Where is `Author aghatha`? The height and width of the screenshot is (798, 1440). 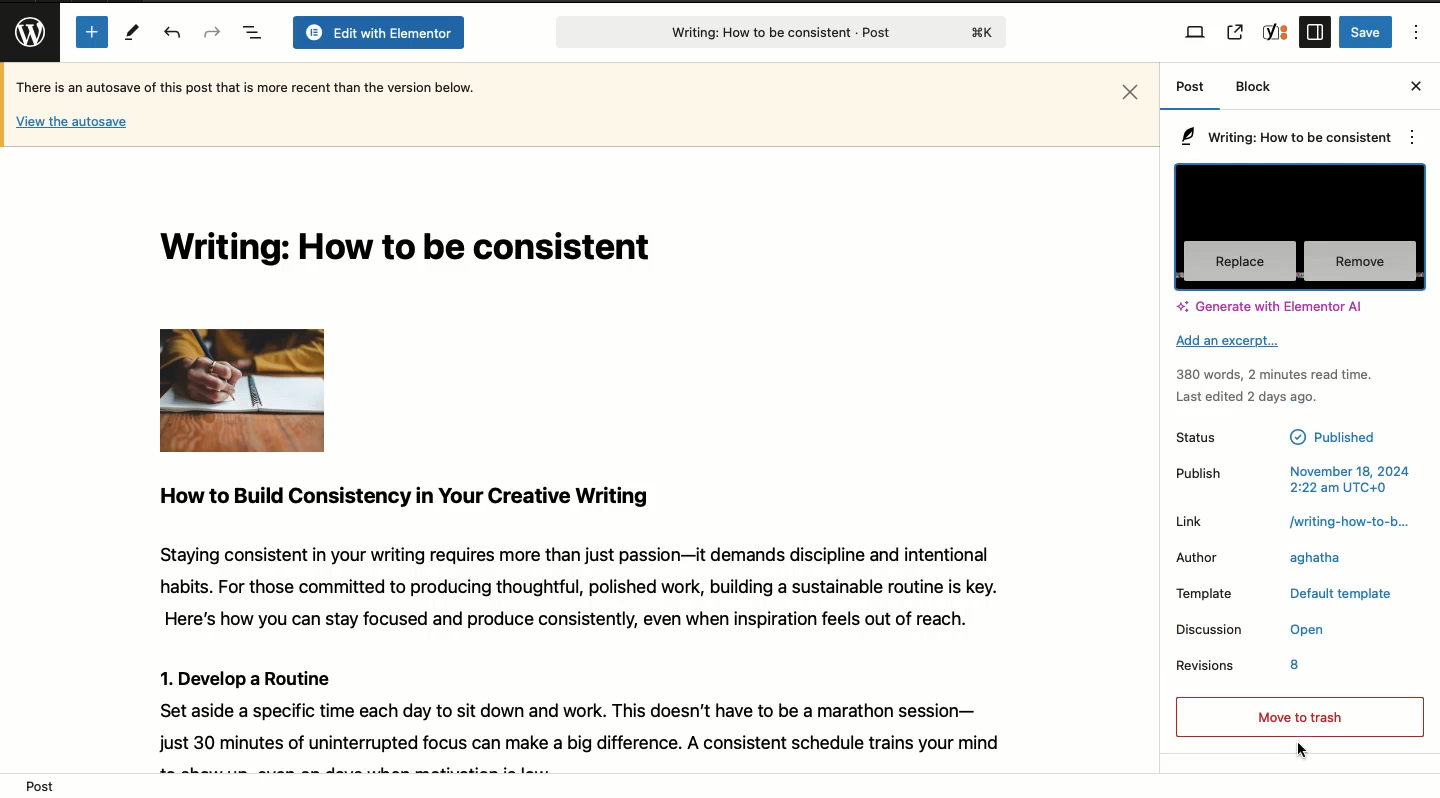
Author aghatha is located at coordinates (1285, 557).